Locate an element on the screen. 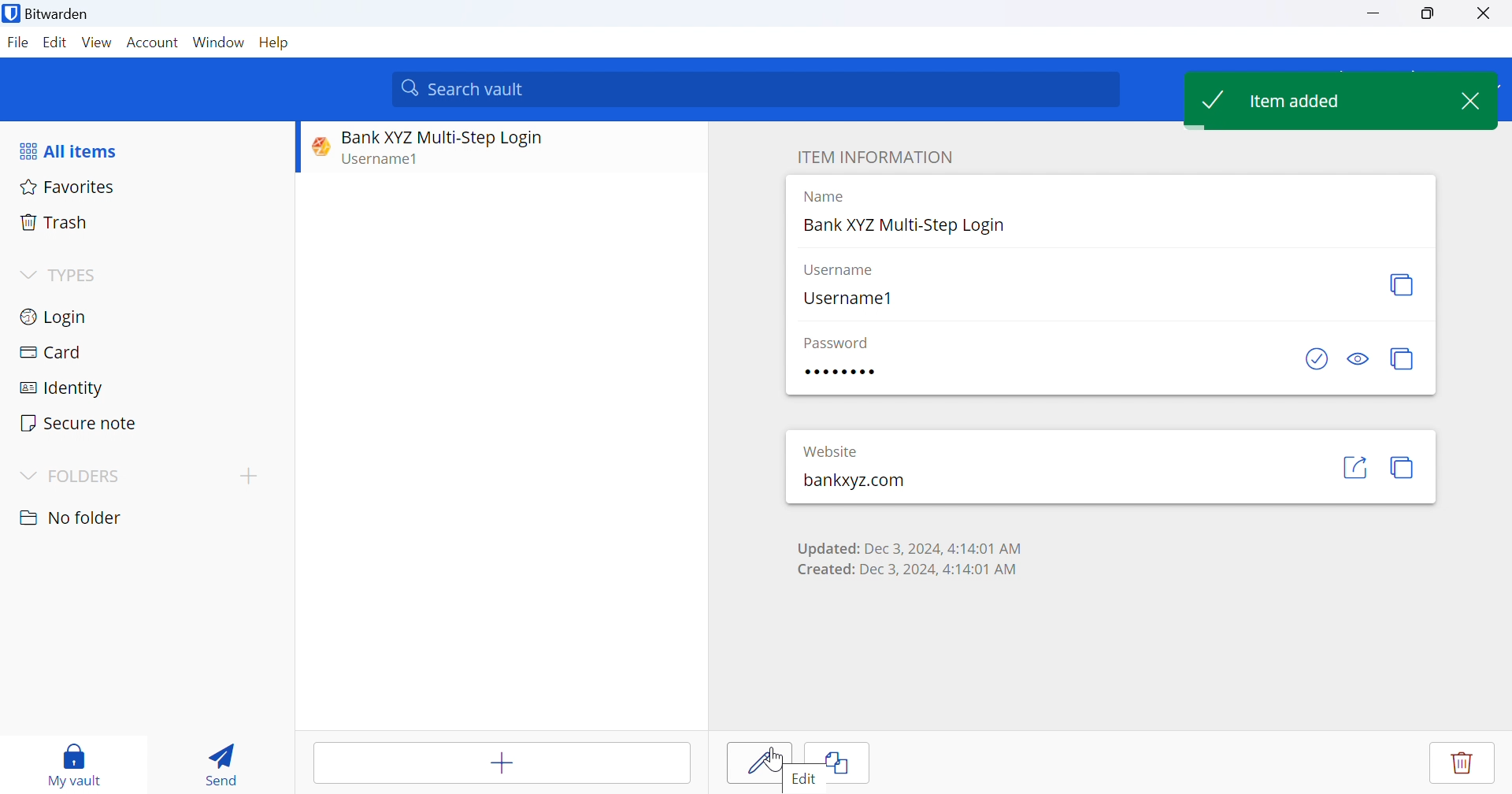 The width and height of the screenshot is (1512, 794). No folder is located at coordinates (72, 518).